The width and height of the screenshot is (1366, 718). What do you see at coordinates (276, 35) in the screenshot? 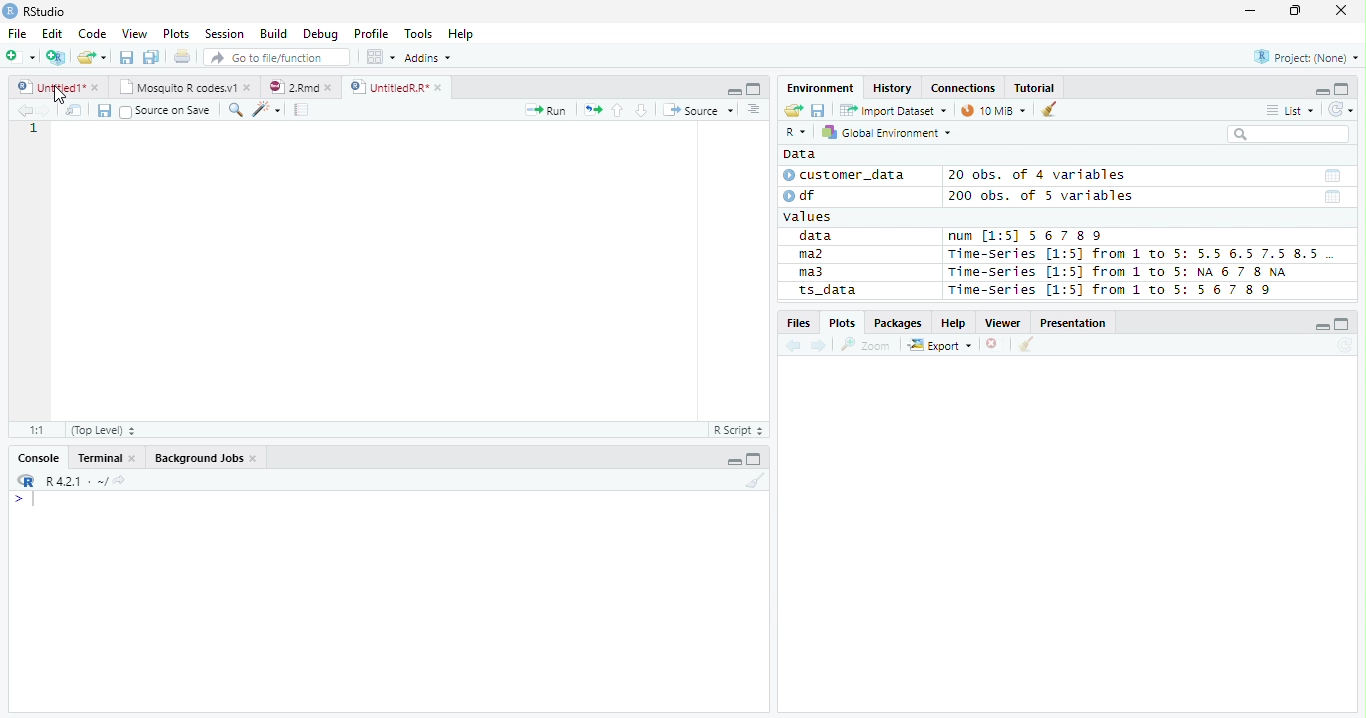
I see `Build` at bounding box center [276, 35].